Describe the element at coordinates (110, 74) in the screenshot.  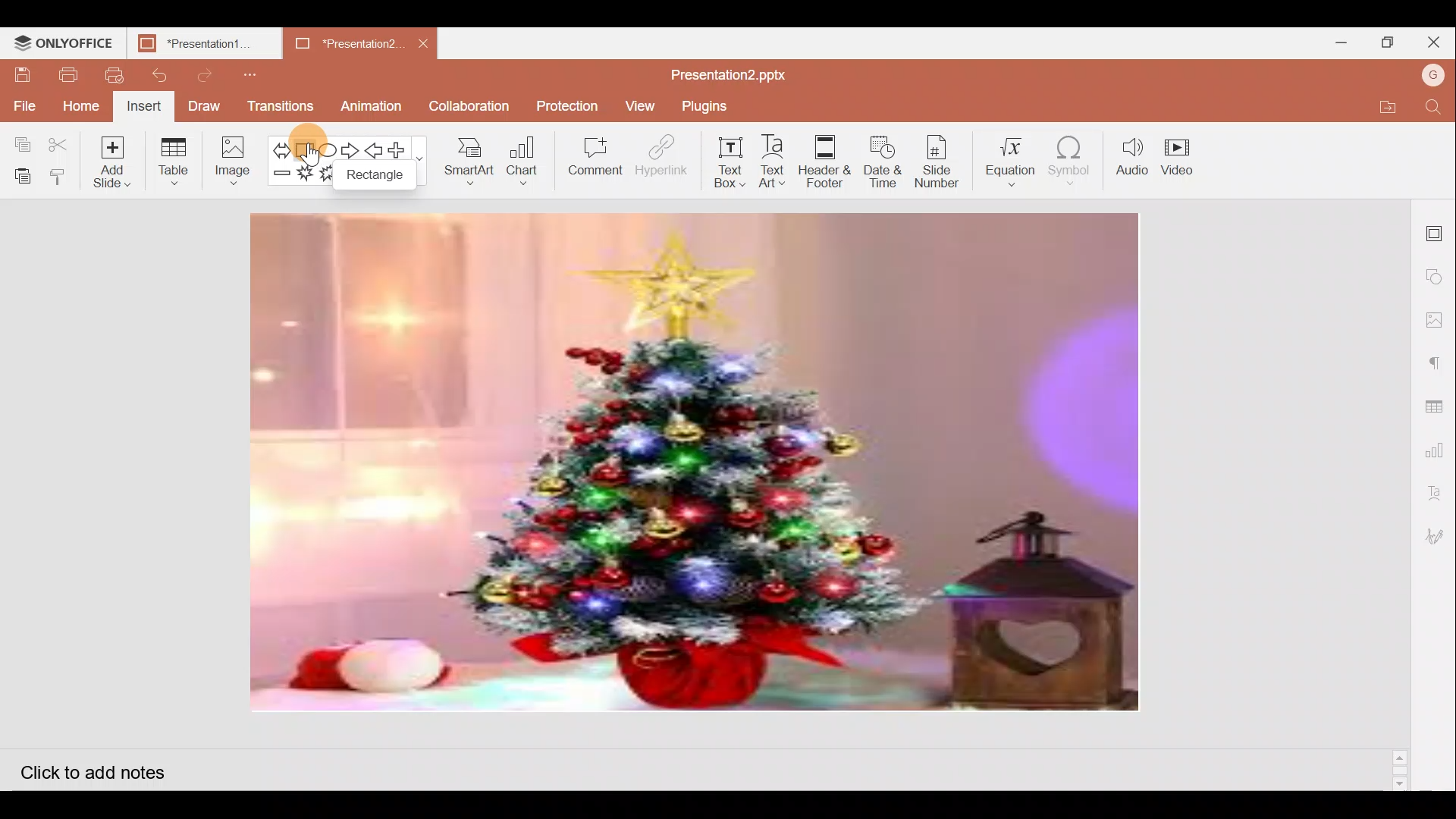
I see `Quick print` at that location.